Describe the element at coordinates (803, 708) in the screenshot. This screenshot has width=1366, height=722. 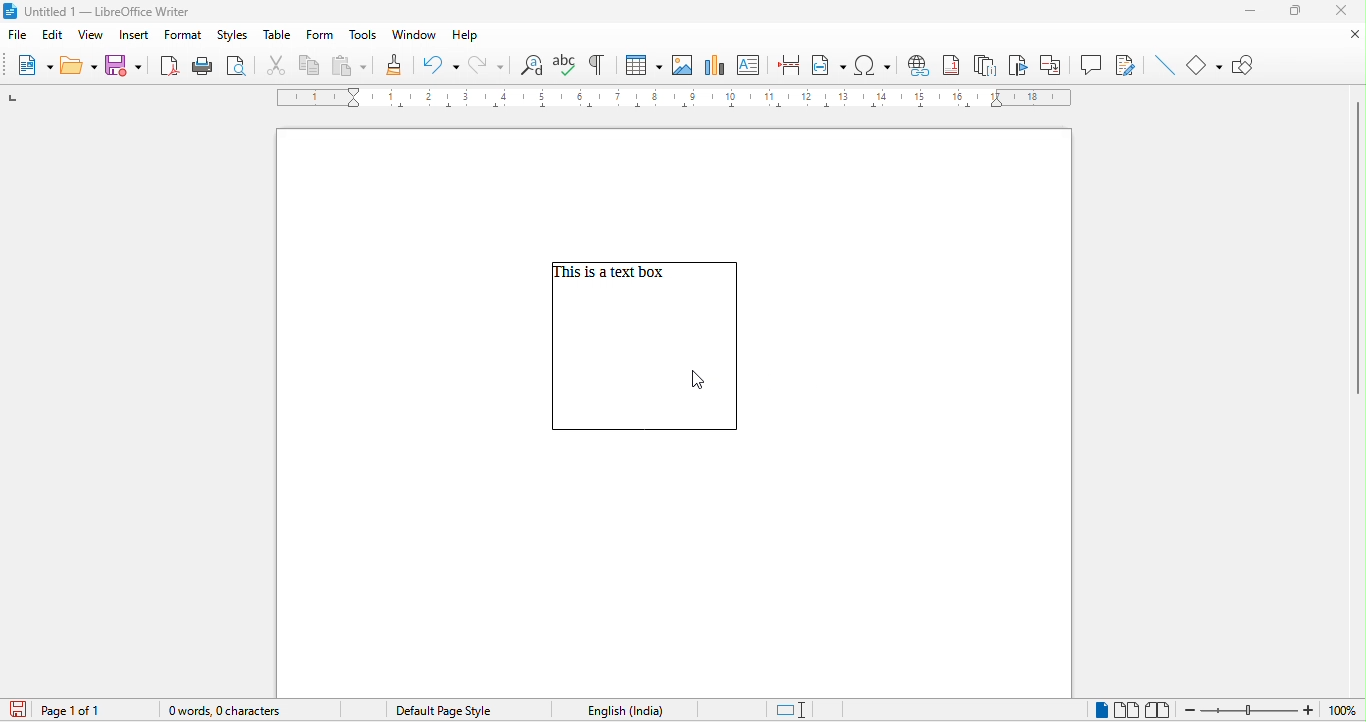
I see `standard selection` at that location.